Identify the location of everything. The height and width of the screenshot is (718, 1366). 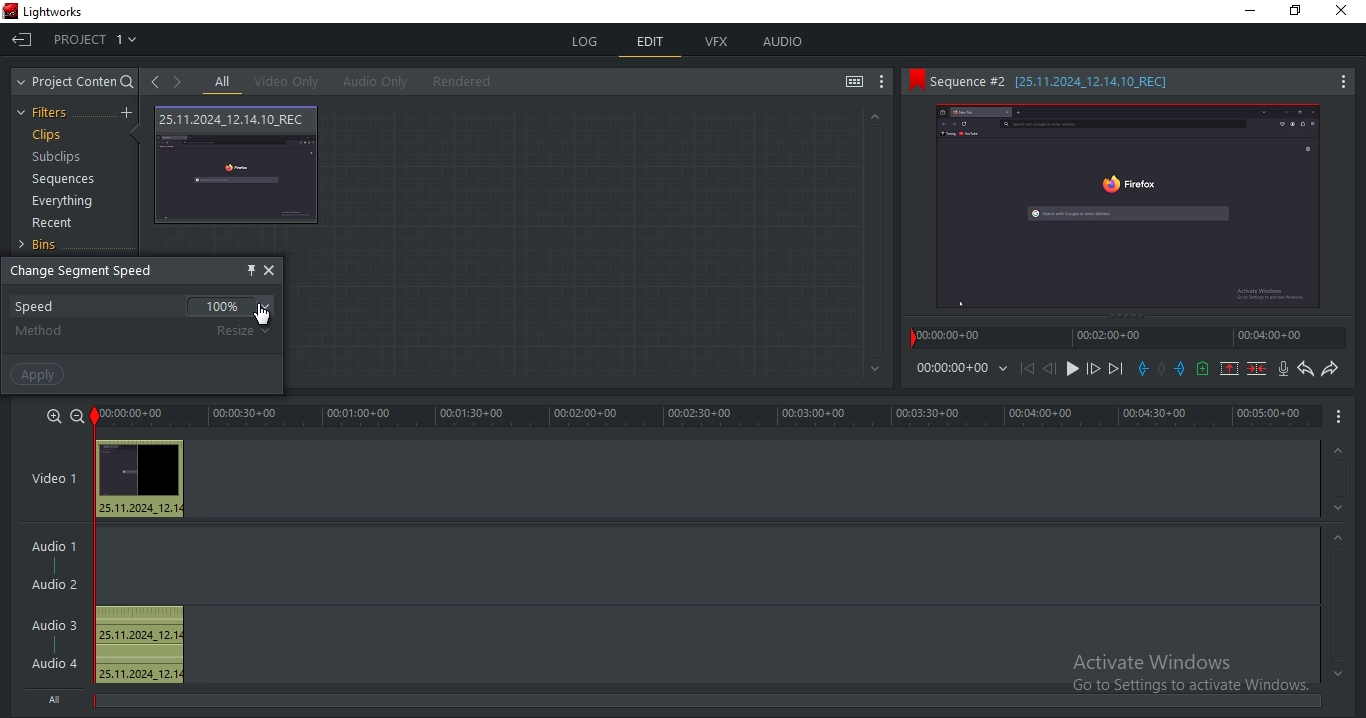
(62, 203).